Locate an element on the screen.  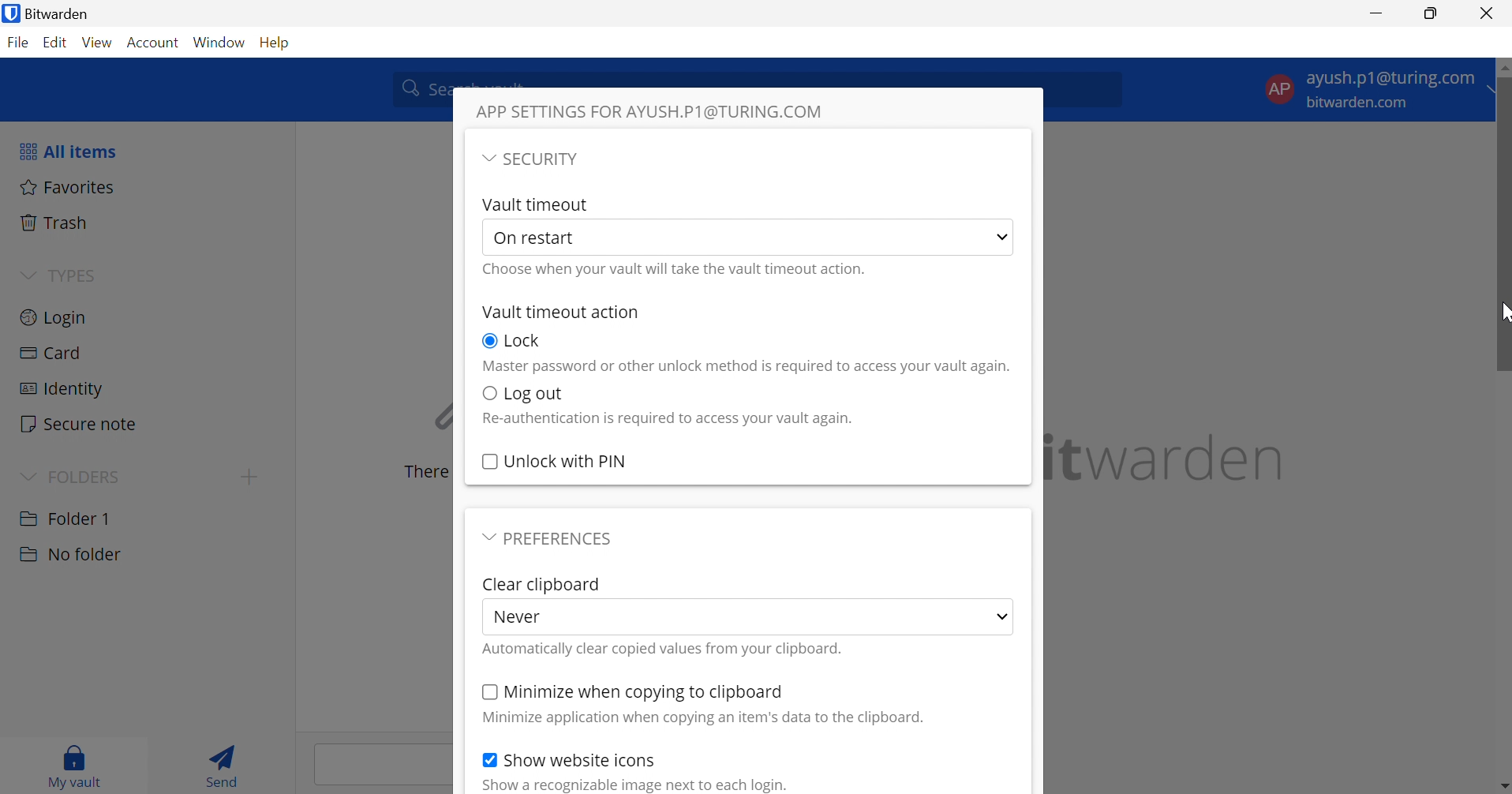
e-Authentication is required to access your vault again. is located at coordinates (667, 420).